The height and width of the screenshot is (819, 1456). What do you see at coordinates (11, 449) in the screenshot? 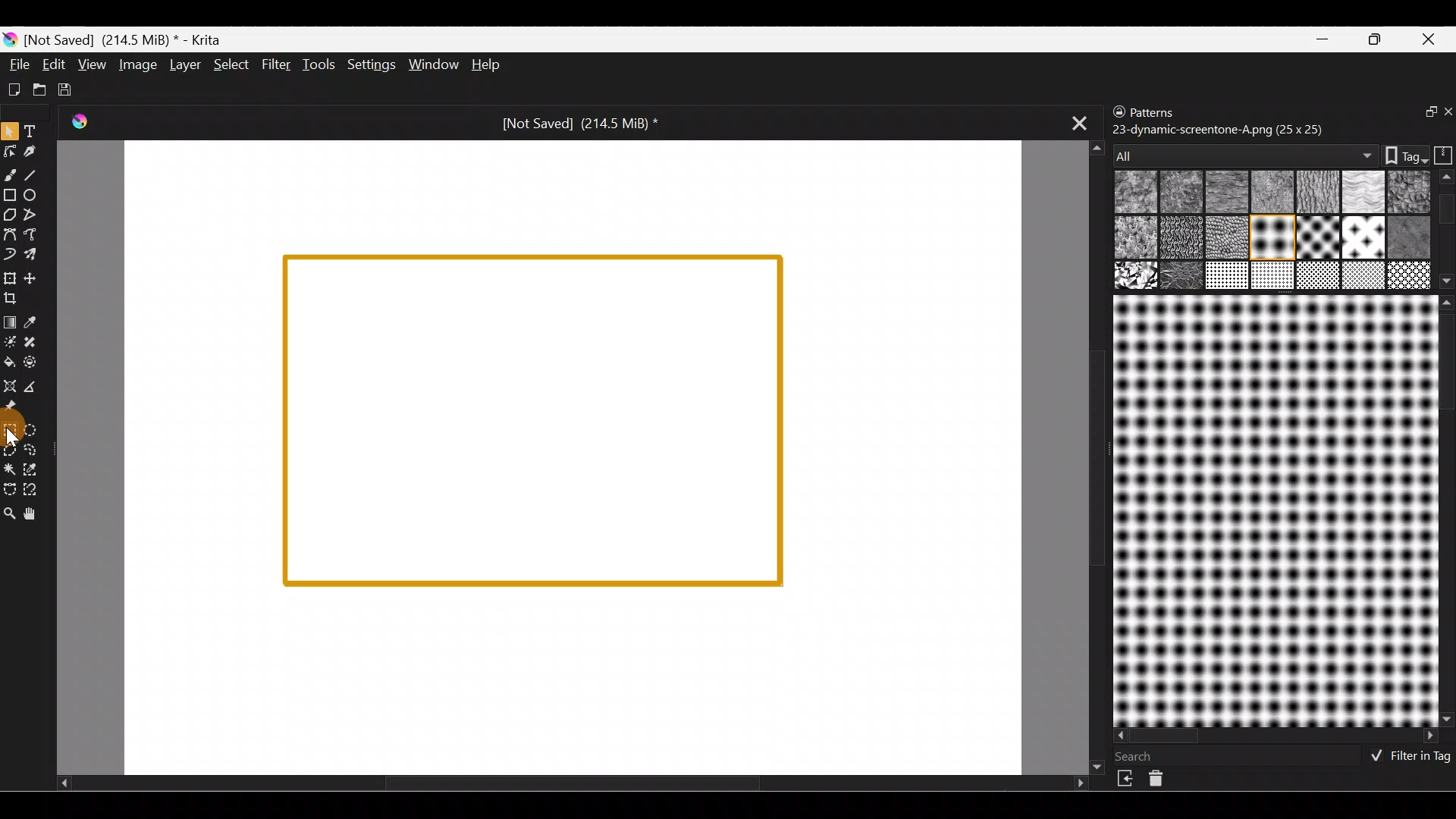
I see `Polygonal selection tool` at bounding box center [11, 449].